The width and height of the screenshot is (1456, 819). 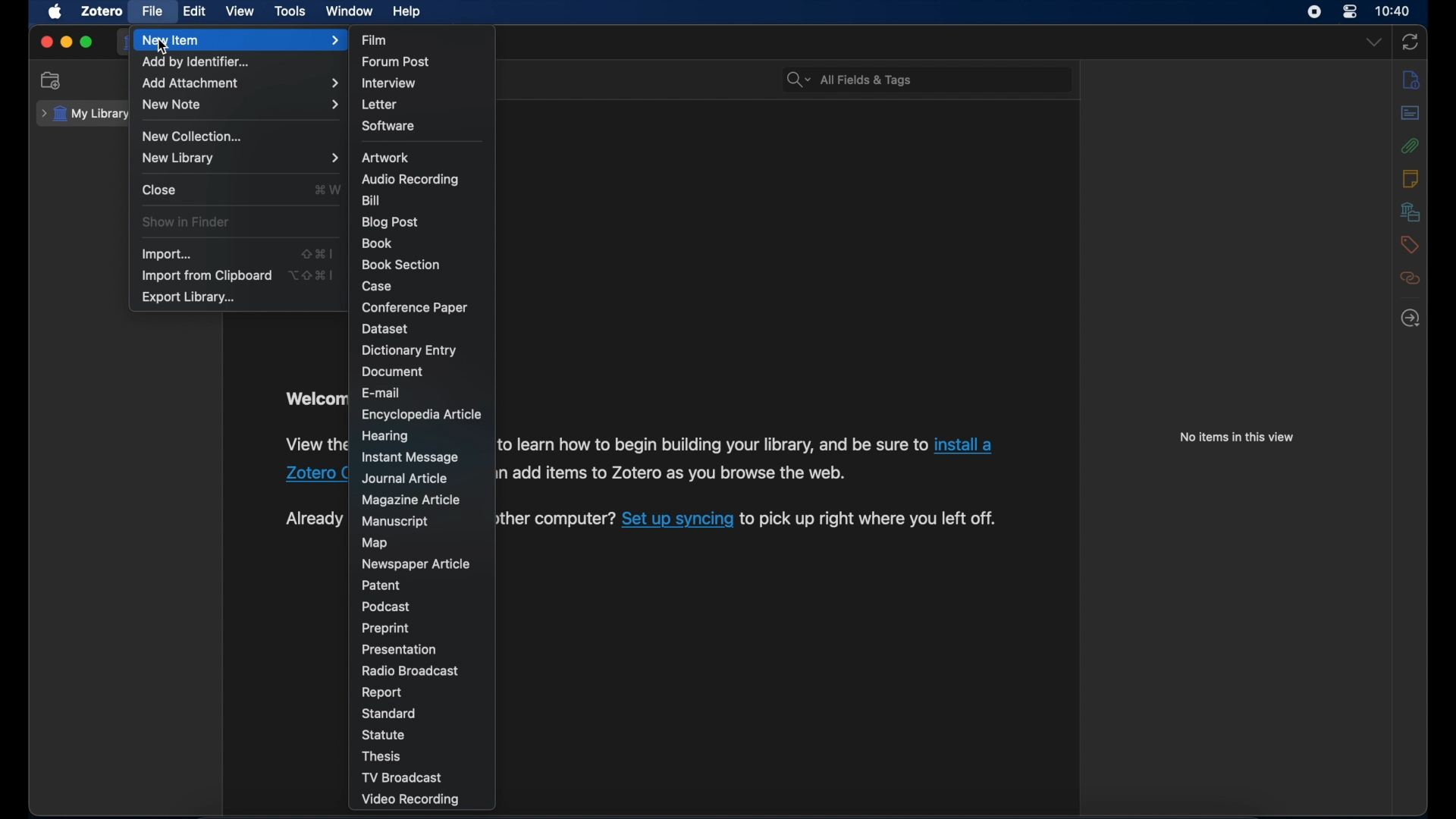 What do you see at coordinates (240, 11) in the screenshot?
I see `view` at bounding box center [240, 11].